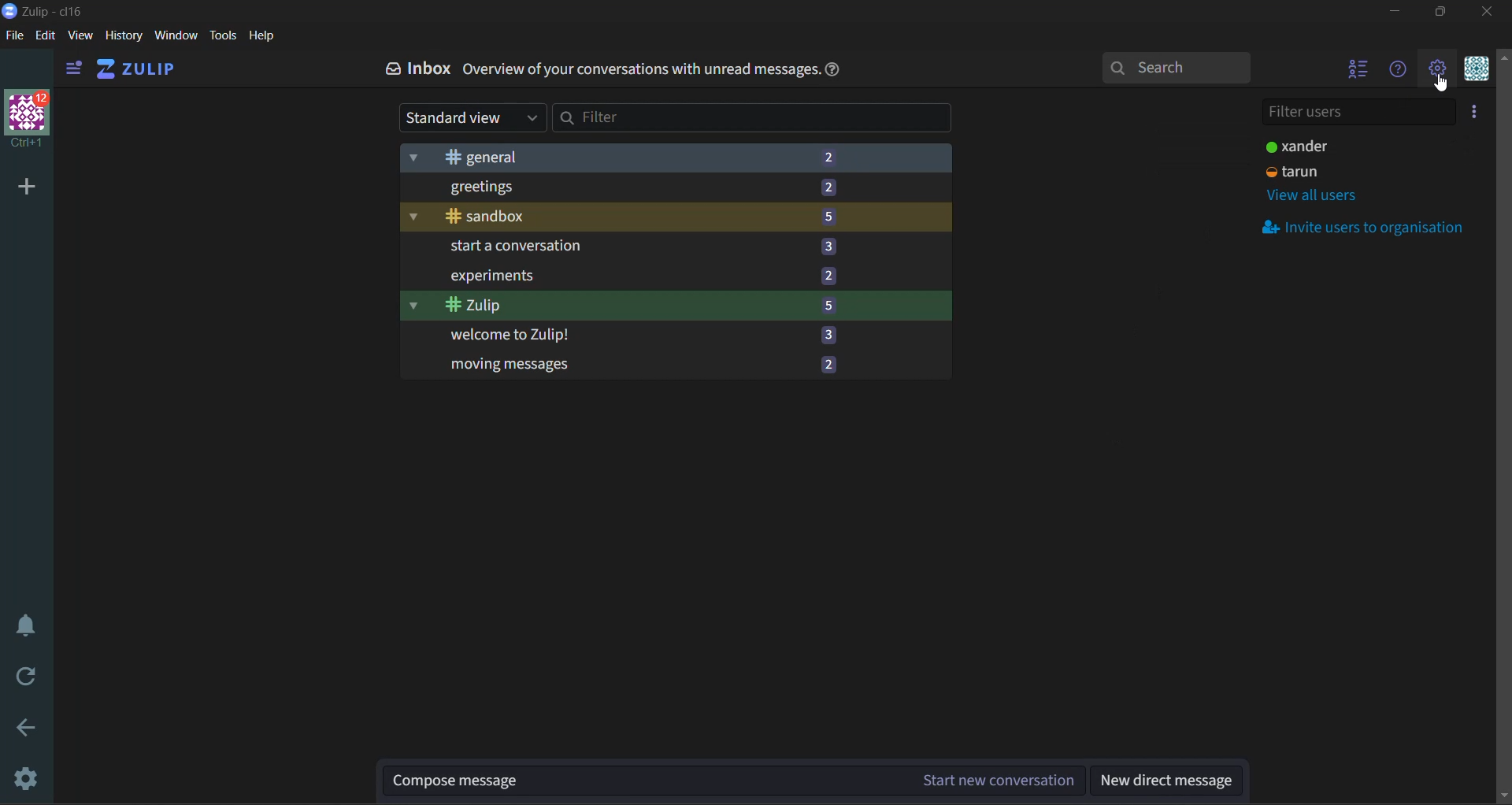  What do you see at coordinates (145, 69) in the screenshot?
I see `home` at bounding box center [145, 69].